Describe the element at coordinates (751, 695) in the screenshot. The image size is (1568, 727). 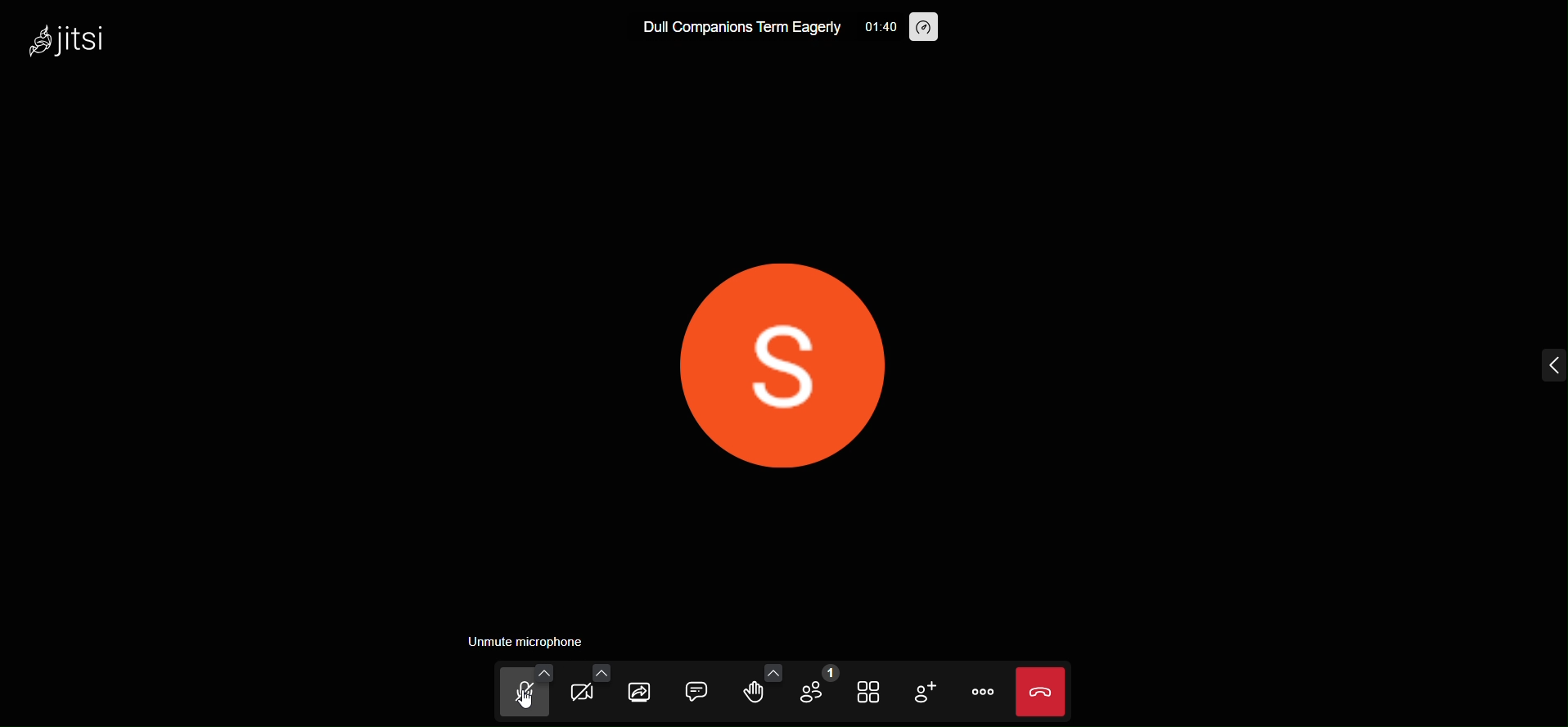
I see `raise hand` at that location.